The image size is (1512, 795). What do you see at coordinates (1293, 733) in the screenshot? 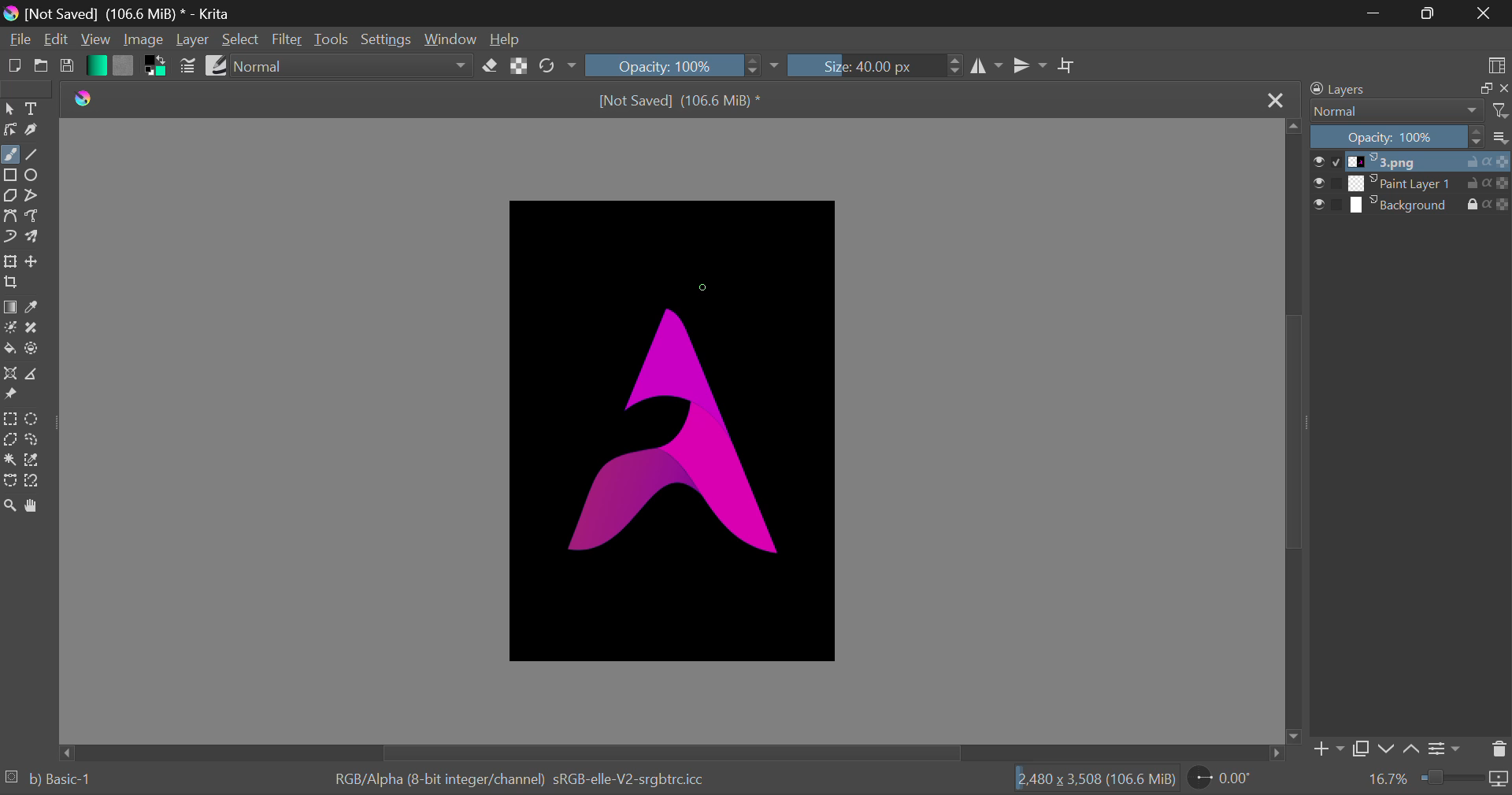
I see `move down` at bounding box center [1293, 733].